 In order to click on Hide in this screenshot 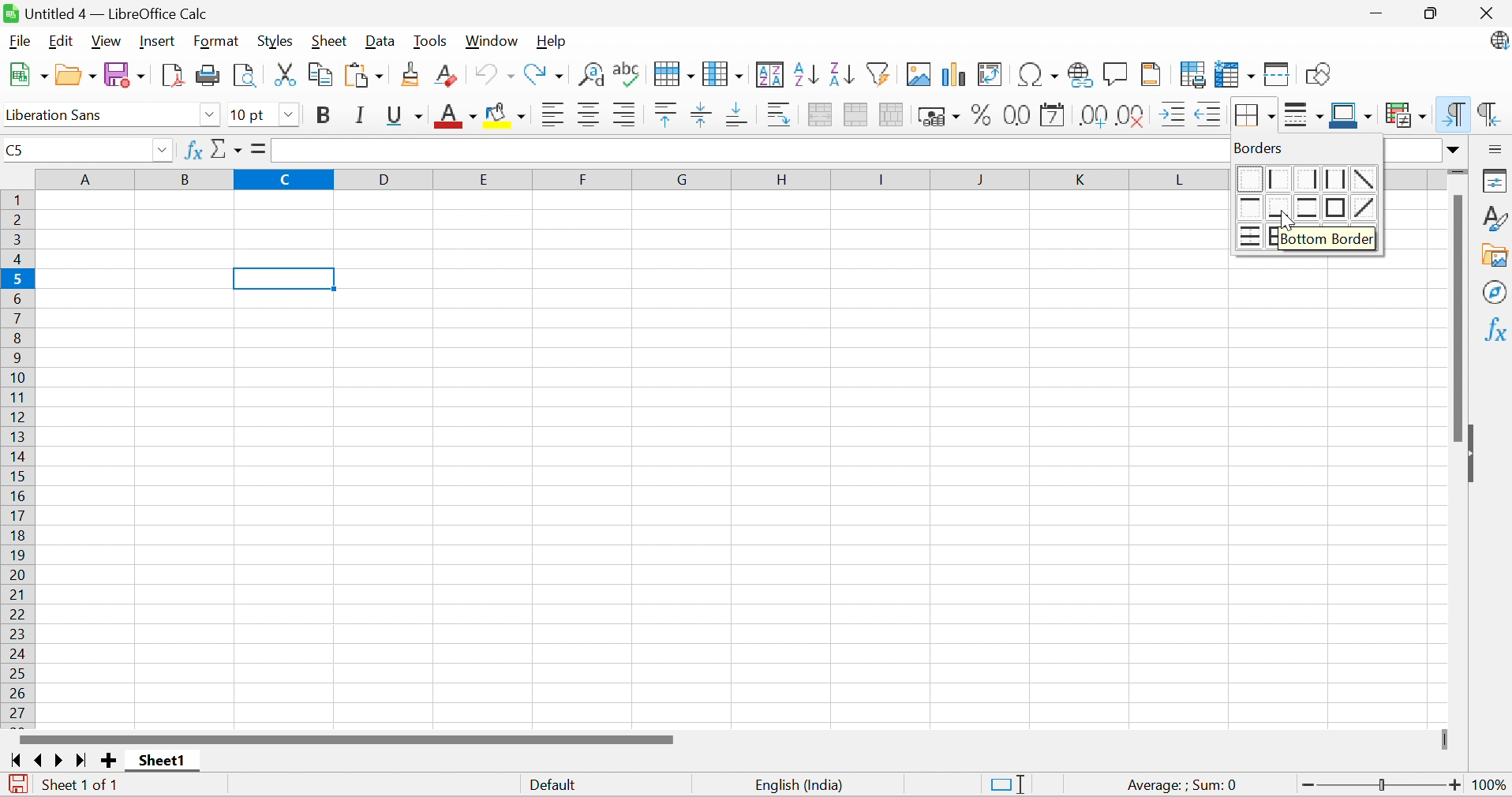, I will do `click(1472, 456)`.